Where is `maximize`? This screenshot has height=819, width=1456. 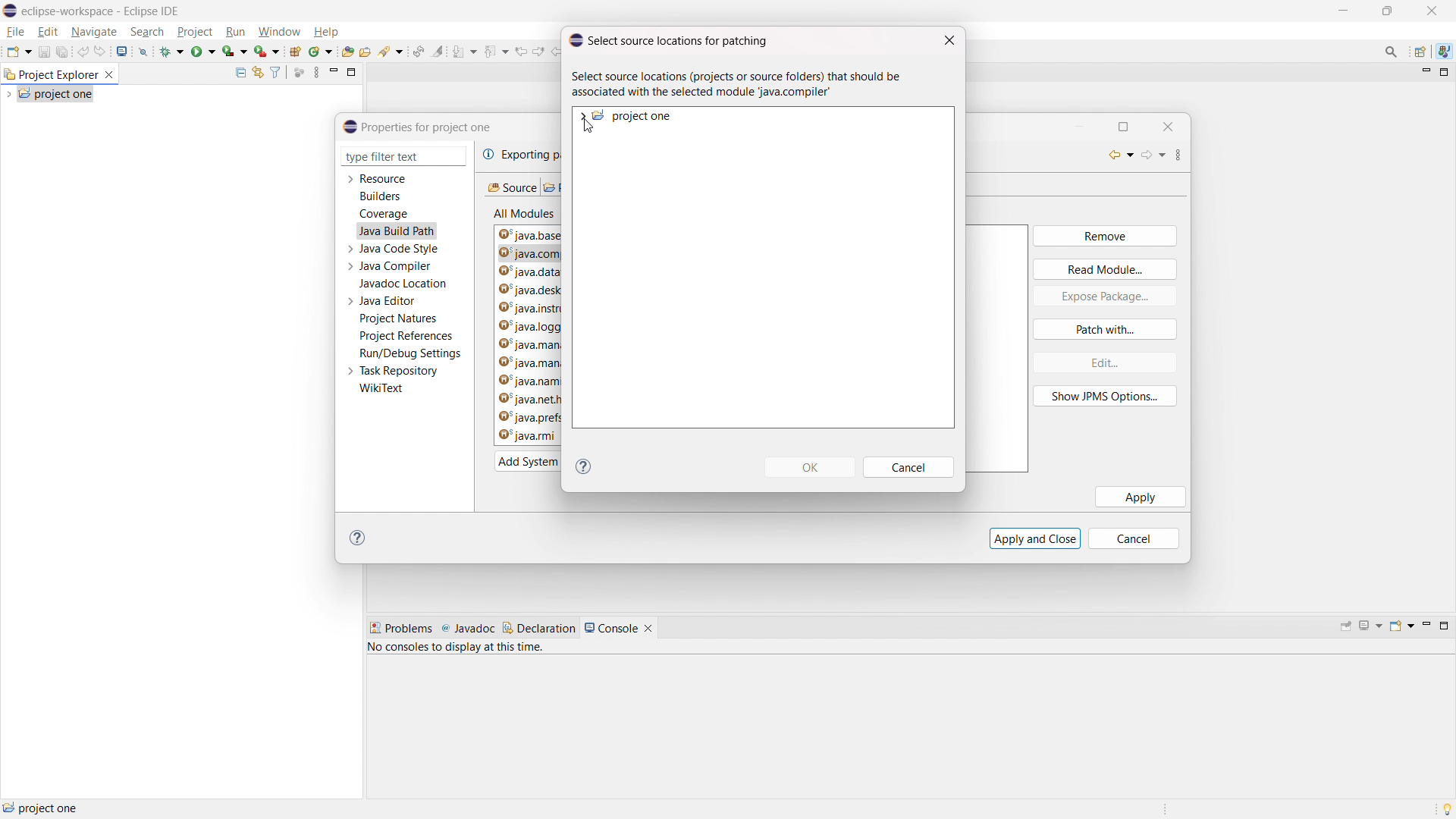 maximize is located at coordinates (1130, 126).